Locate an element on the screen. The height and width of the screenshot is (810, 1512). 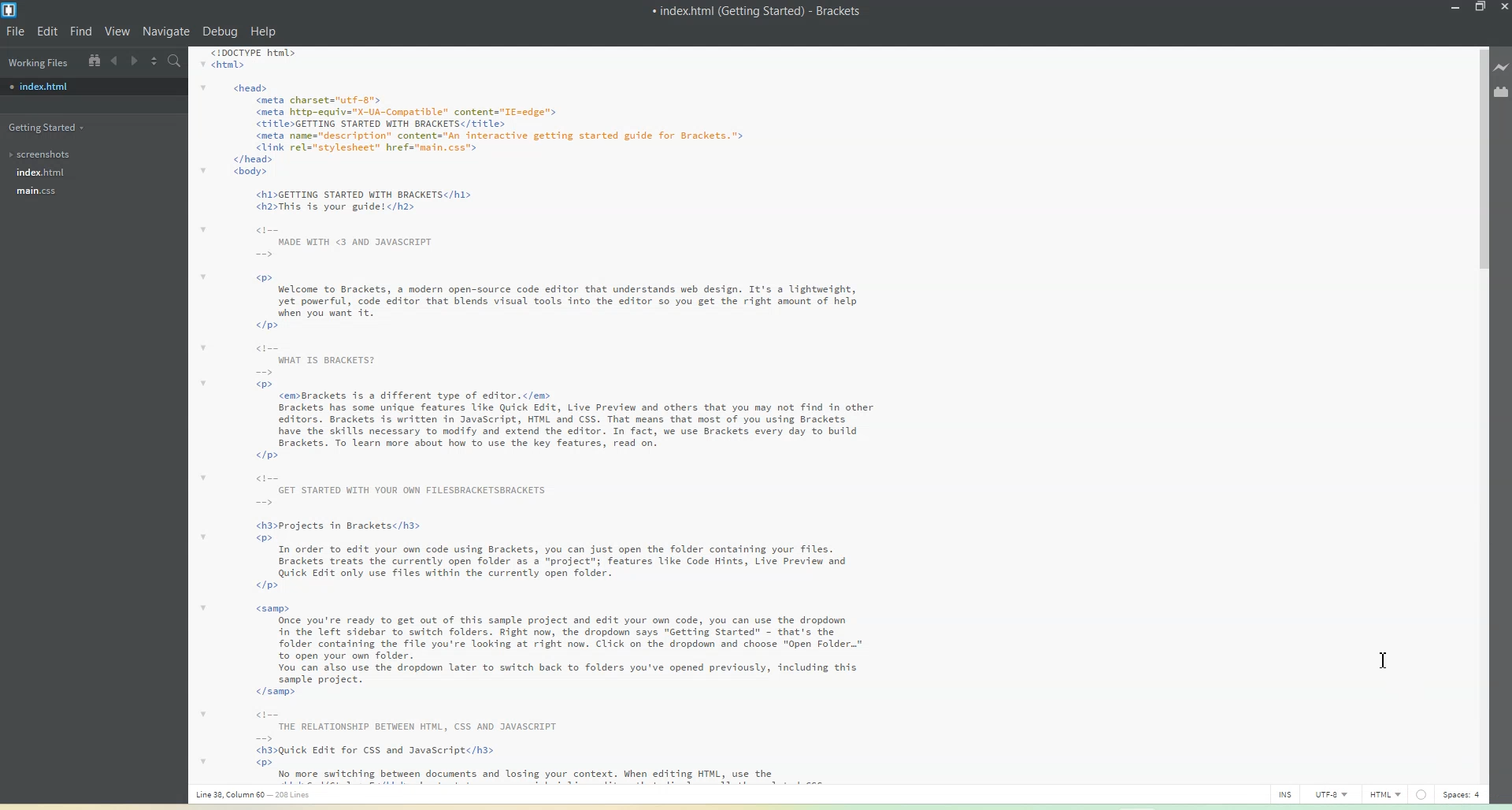
Extensions Manager is located at coordinates (1502, 91).